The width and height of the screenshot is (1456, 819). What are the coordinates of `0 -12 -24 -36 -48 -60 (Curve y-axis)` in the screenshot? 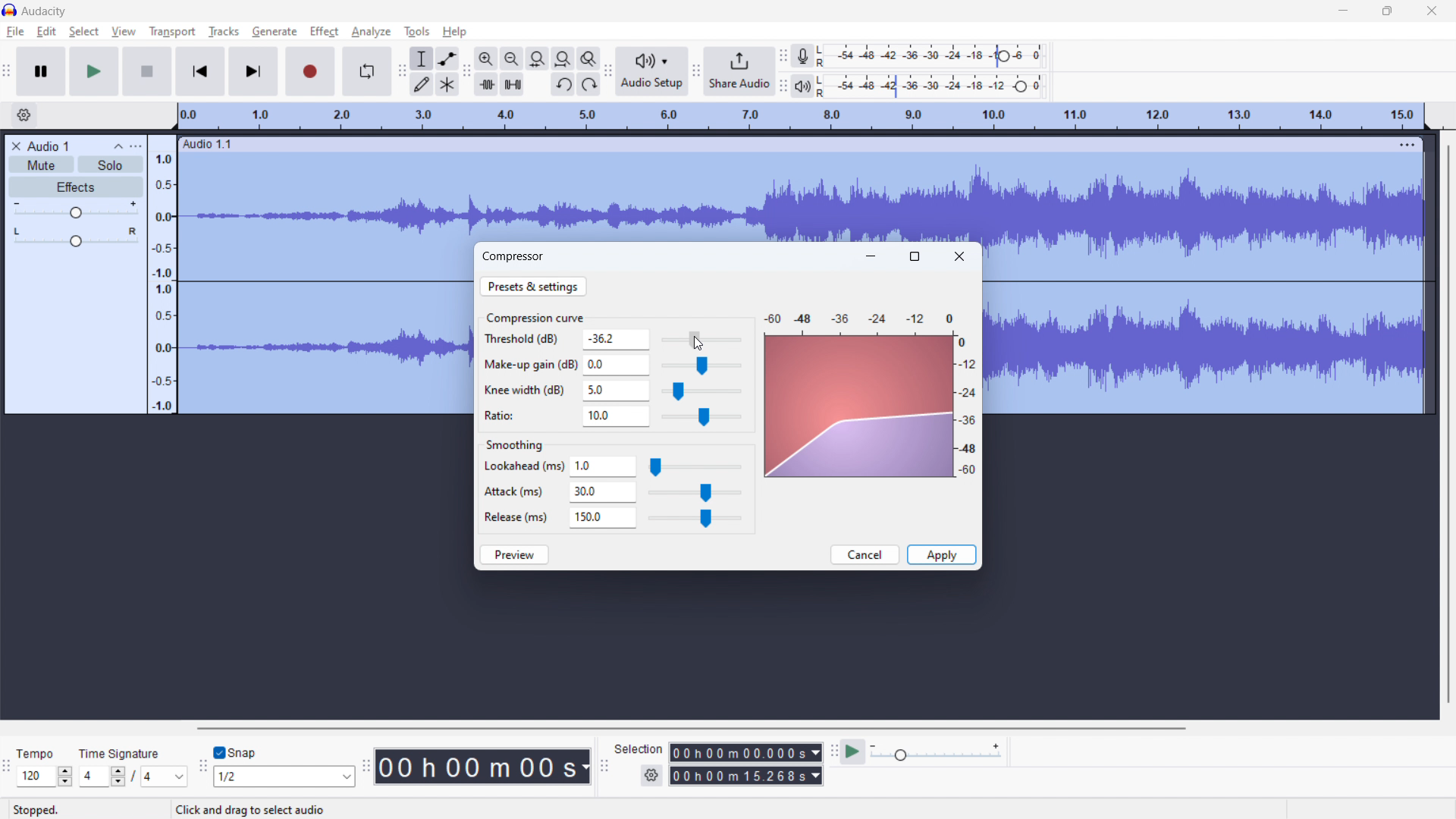 It's located at (969, 409).